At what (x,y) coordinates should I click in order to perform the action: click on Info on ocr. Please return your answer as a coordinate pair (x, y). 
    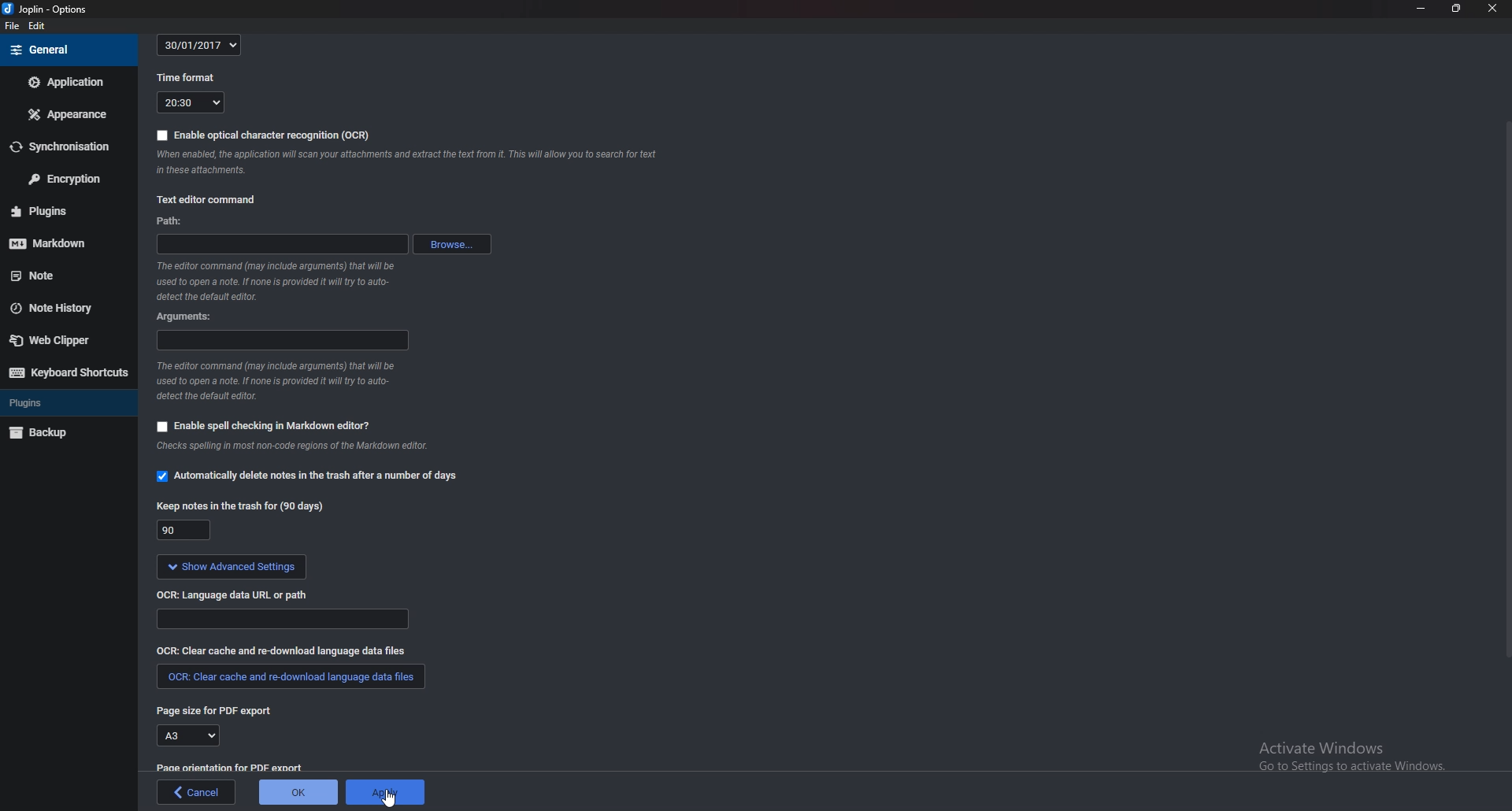
    Looking at the image, I should click on (409, 166).